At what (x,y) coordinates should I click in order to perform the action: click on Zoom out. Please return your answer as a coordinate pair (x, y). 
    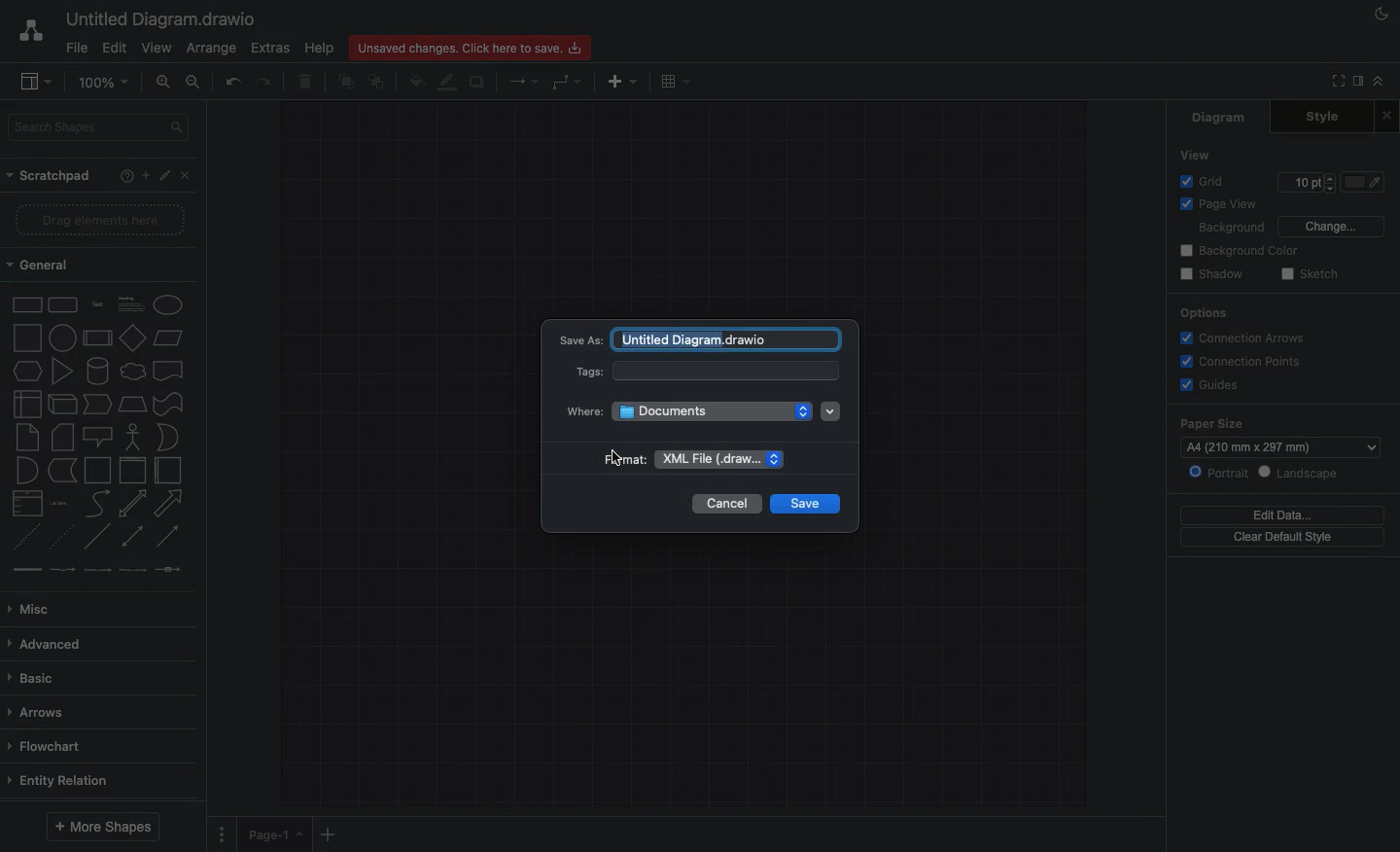
    Looking at the image, I should click on (194, 82).